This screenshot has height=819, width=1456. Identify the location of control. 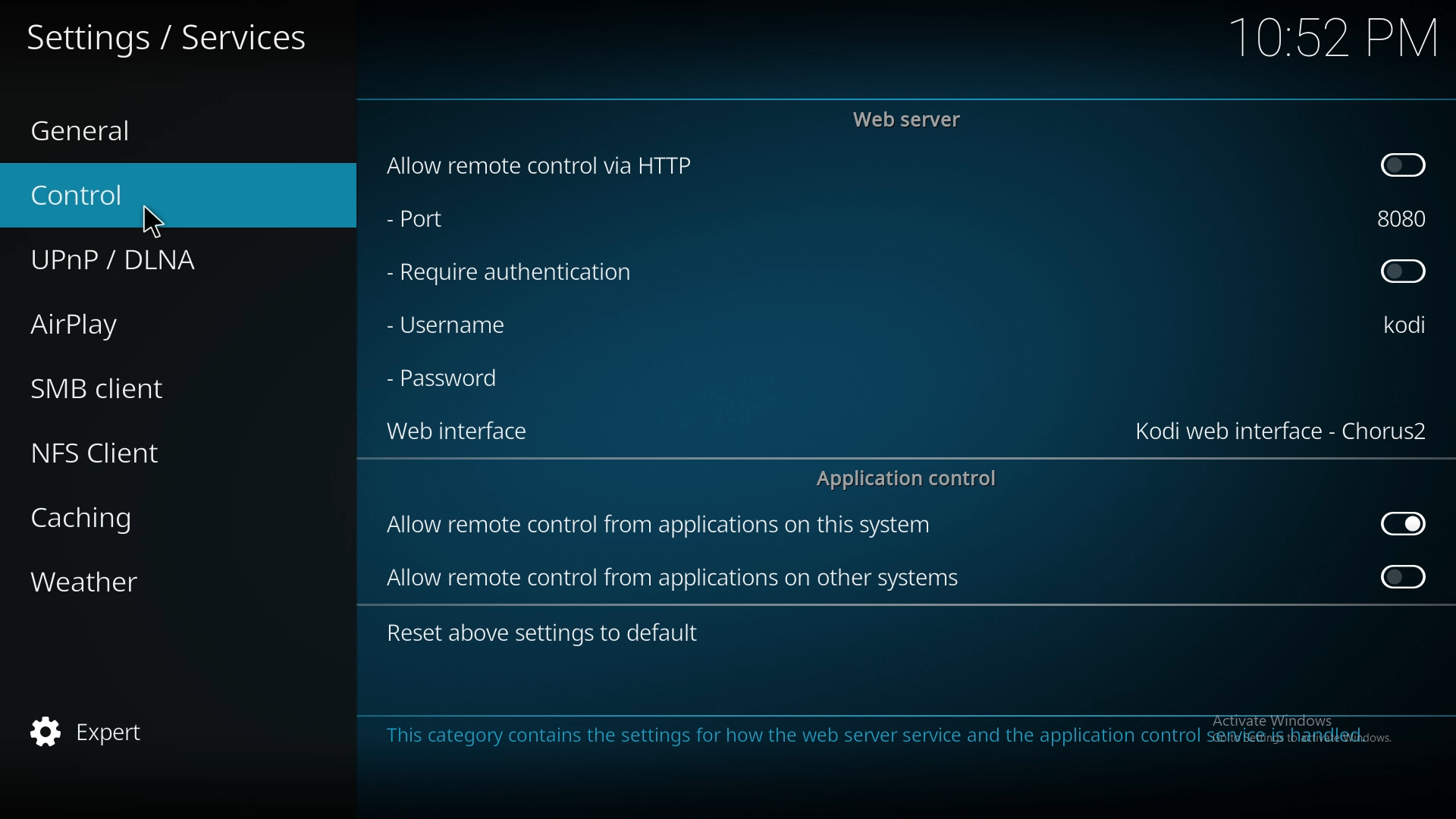
(155, 196).